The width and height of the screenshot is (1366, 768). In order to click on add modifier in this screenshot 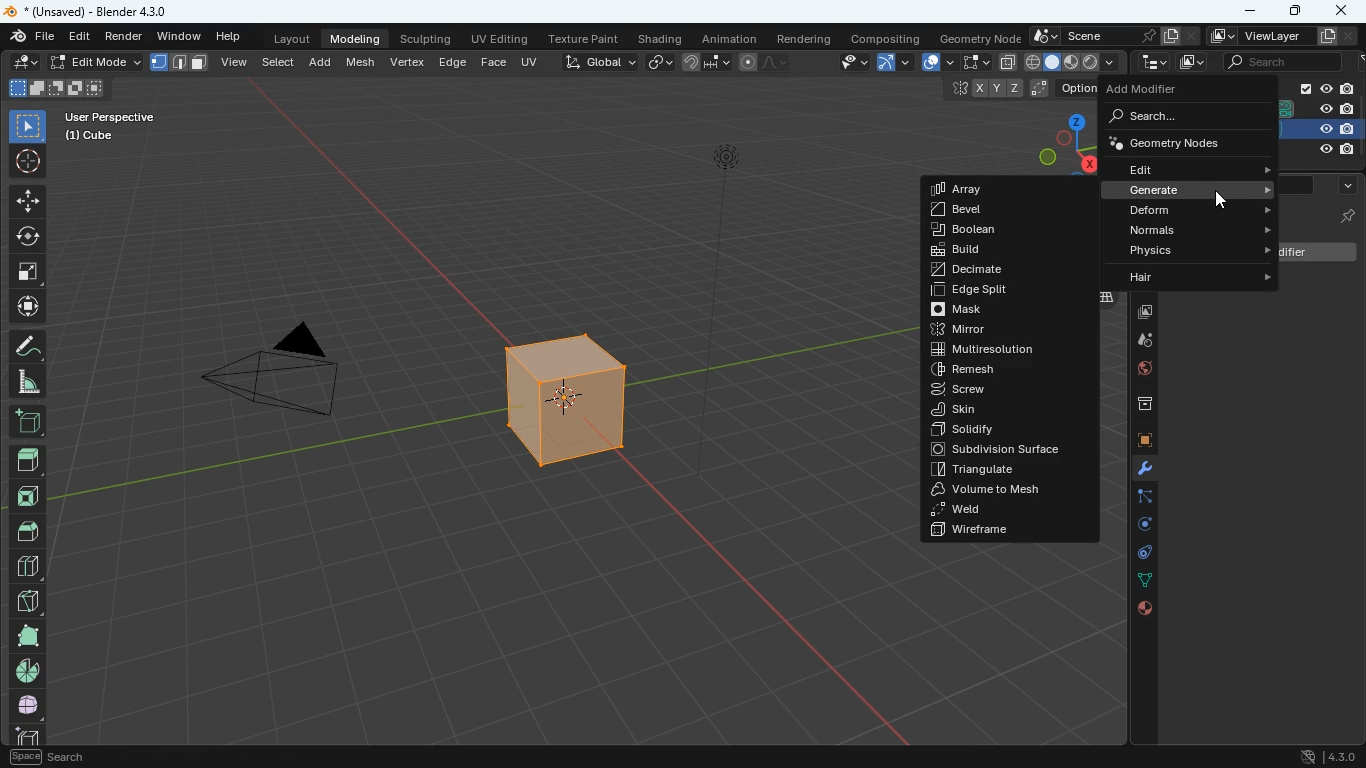, I will do `click(1167, 89)`.